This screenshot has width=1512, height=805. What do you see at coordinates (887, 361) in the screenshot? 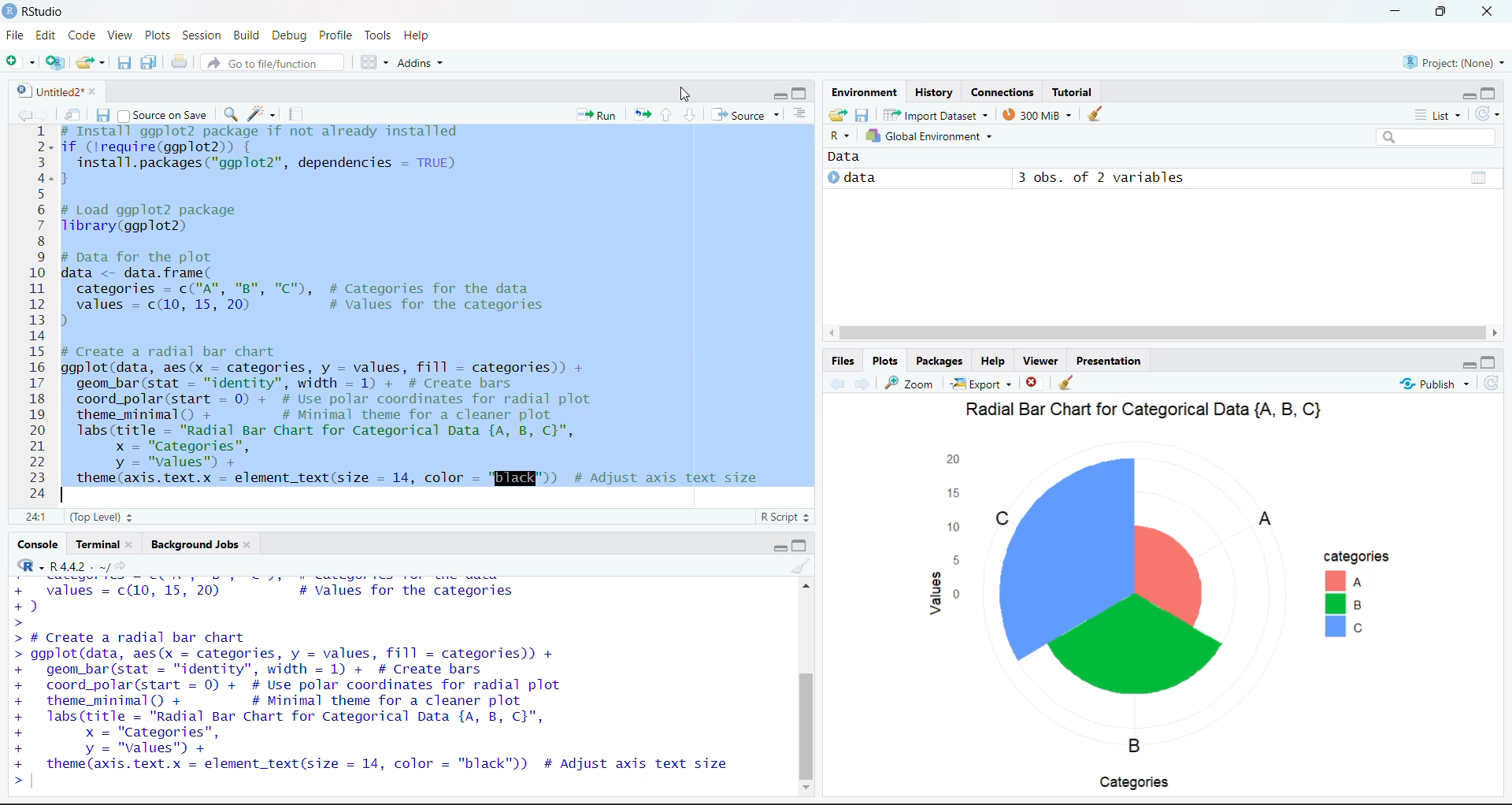
I see `Plots` at bounding box center [887, 361].